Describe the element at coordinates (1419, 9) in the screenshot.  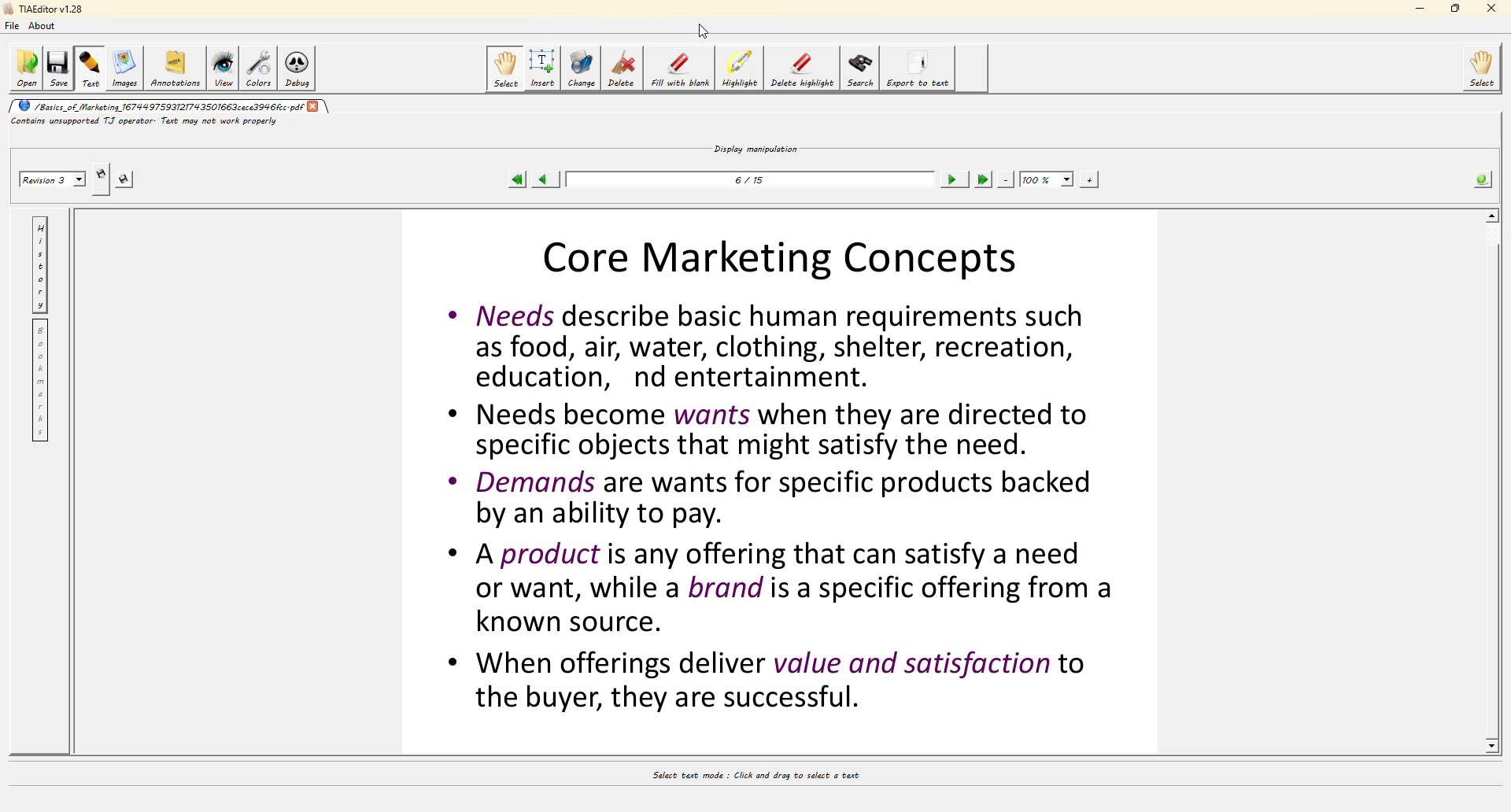
I see `minimize` at that location.